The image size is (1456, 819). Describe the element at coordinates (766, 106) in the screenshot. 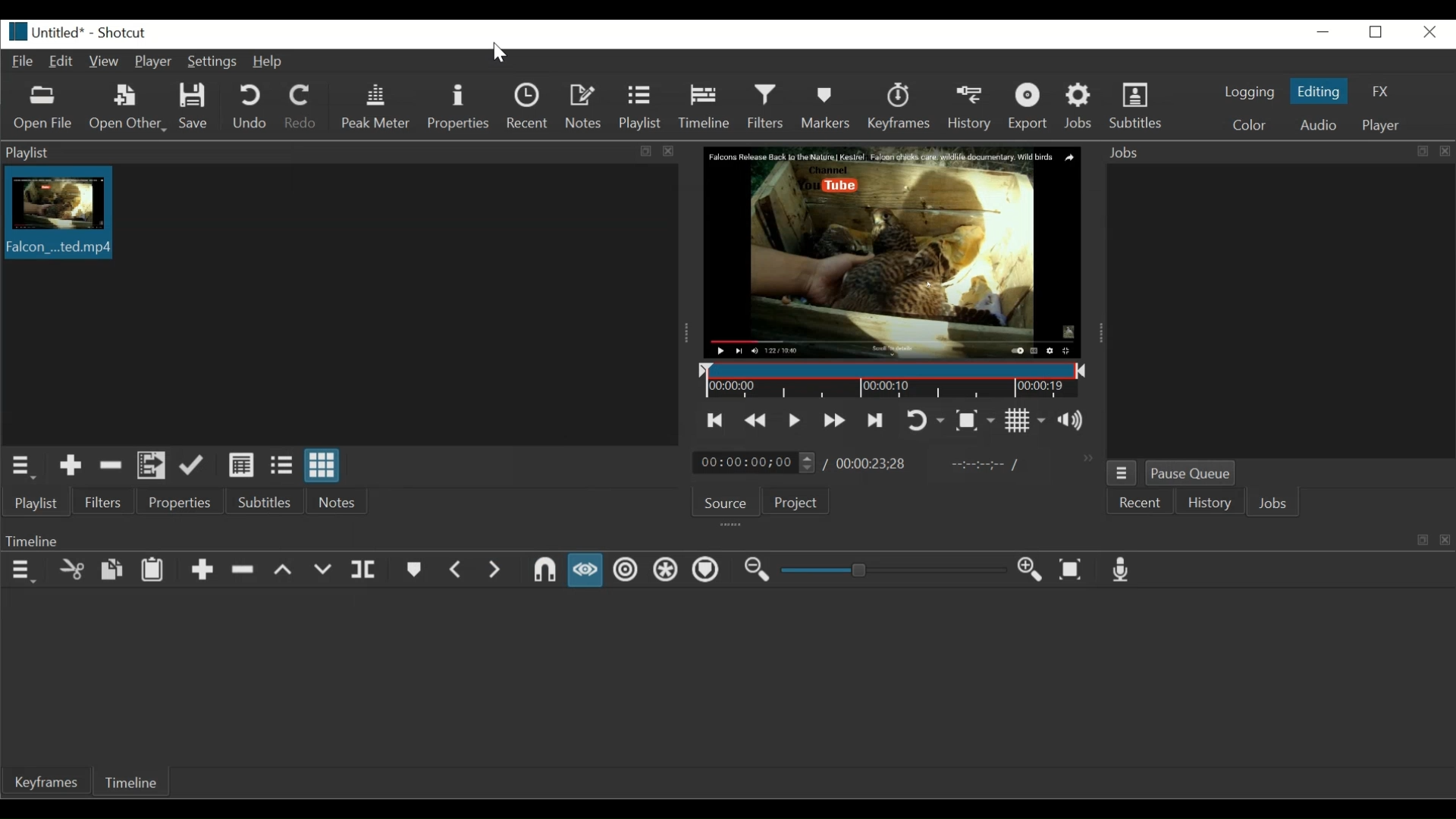

I see `Filters` at that location.